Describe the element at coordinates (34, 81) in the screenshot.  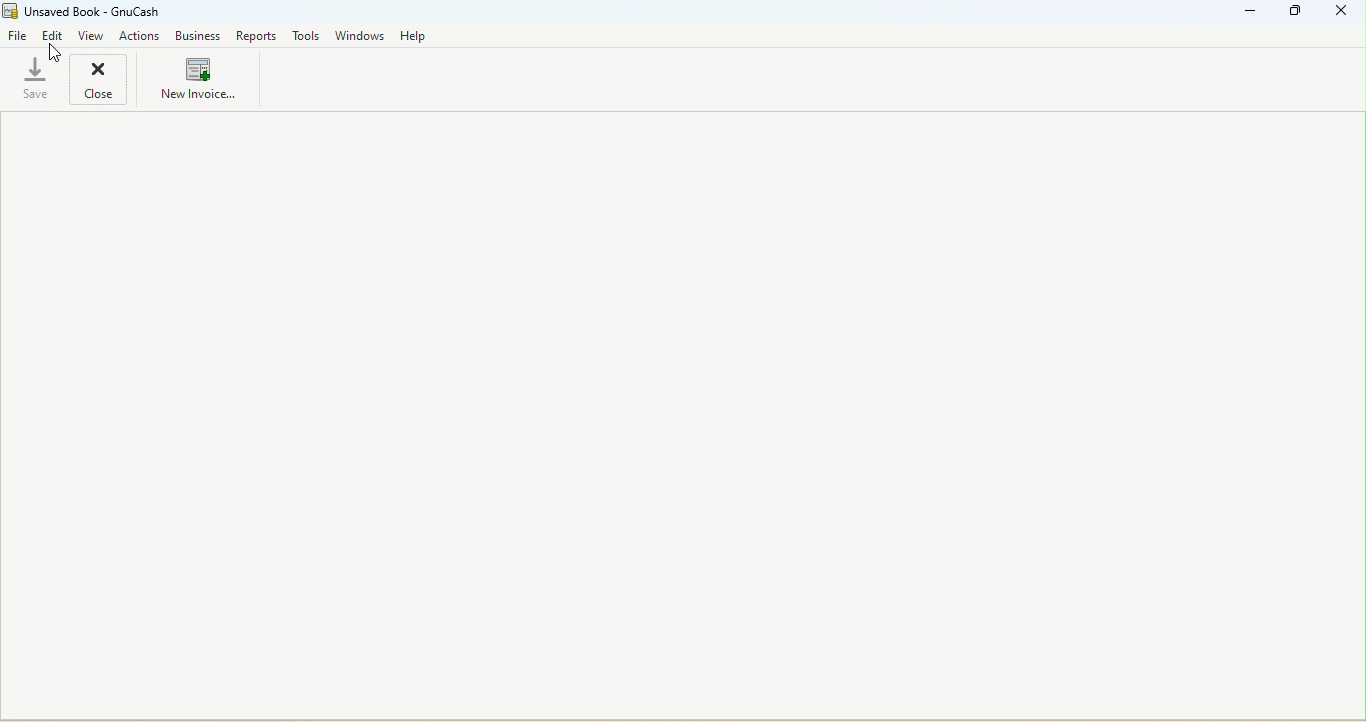
I see `Save` at that location.